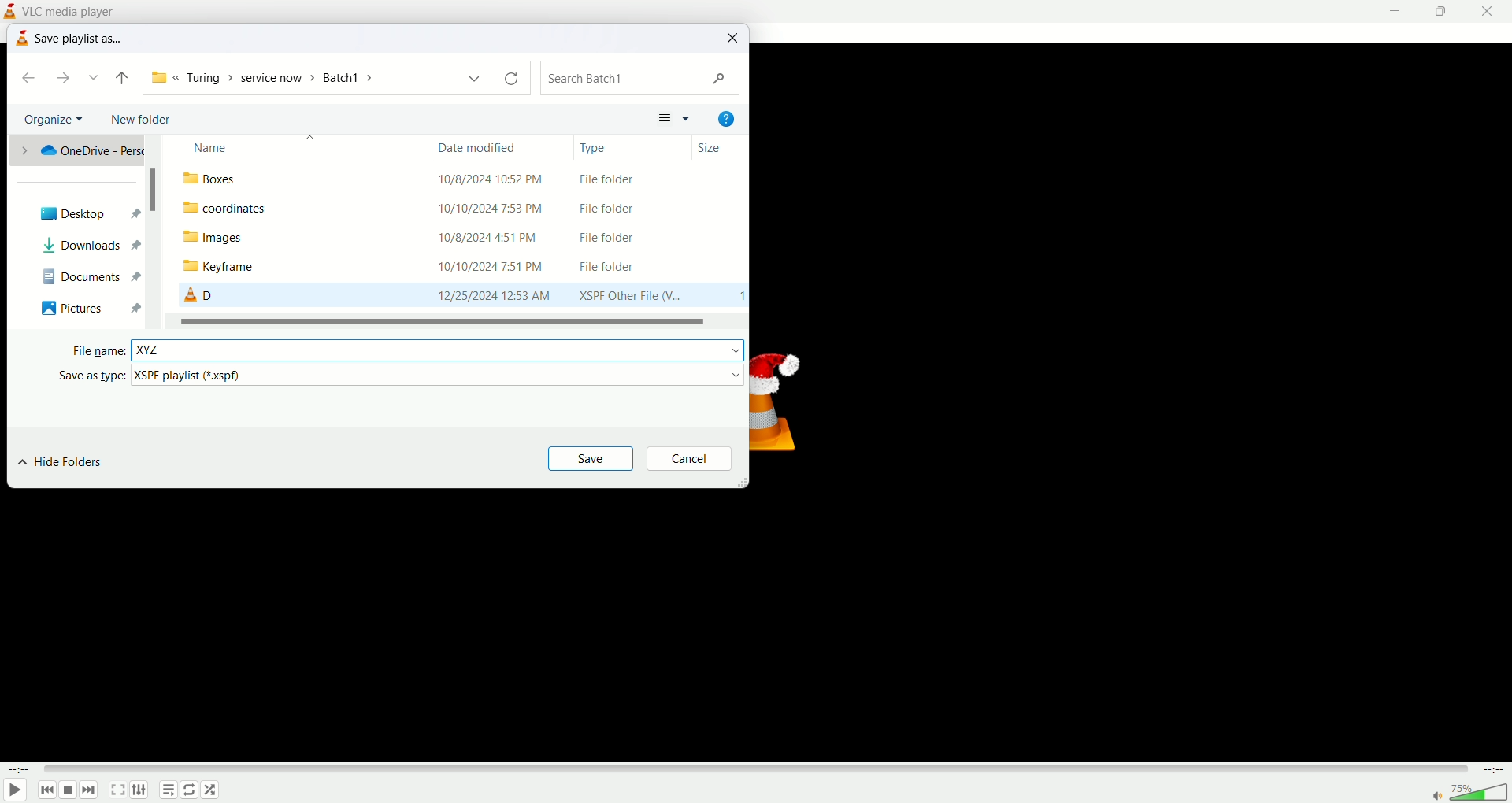 The height and width of the screenshot is (803, 1512). Describe the element at coordinates (69, 791) in the screenshot. I see `stop` at that location.